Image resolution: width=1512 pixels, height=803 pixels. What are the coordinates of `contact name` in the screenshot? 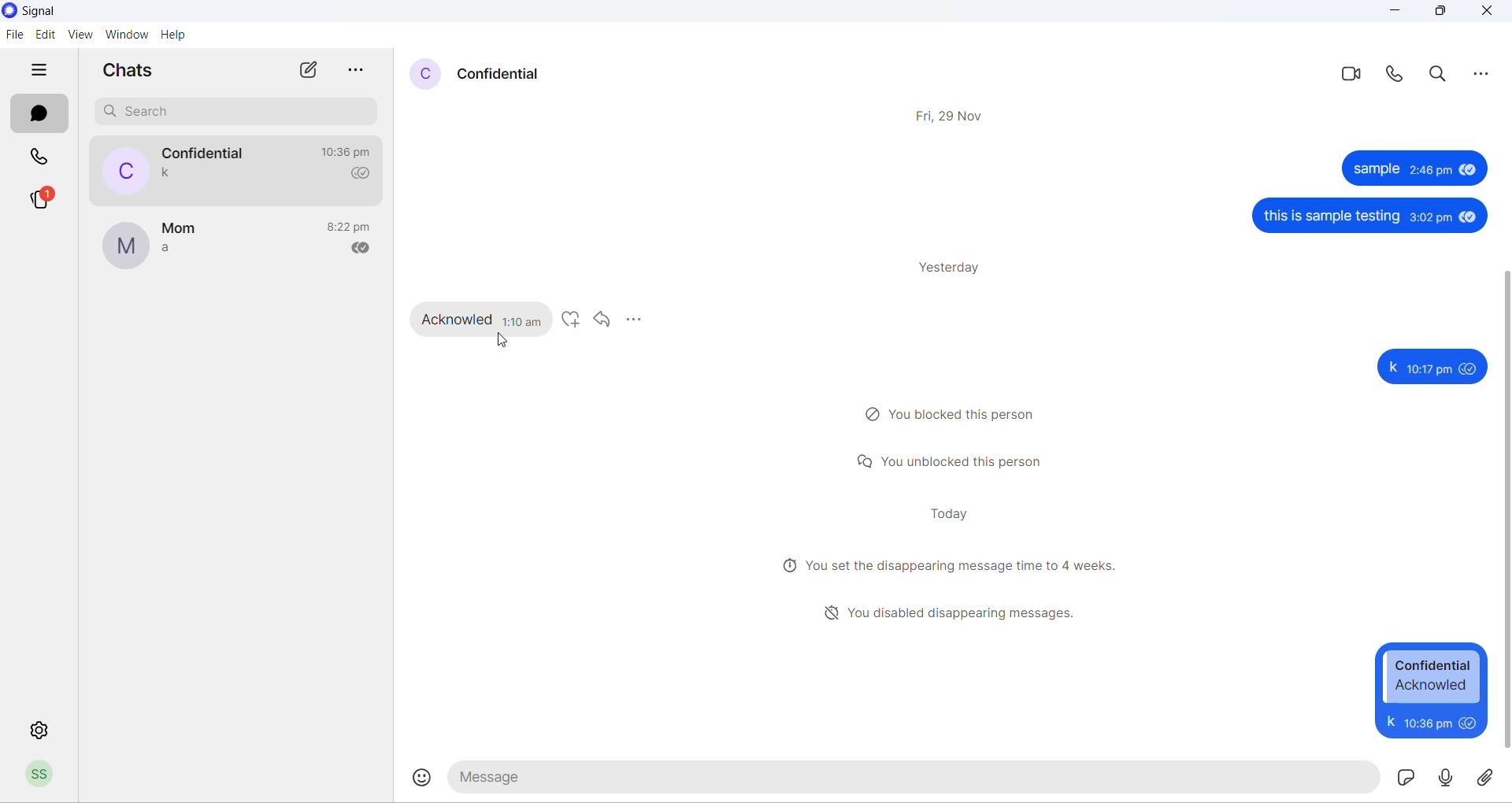 It's located at (187, 229).